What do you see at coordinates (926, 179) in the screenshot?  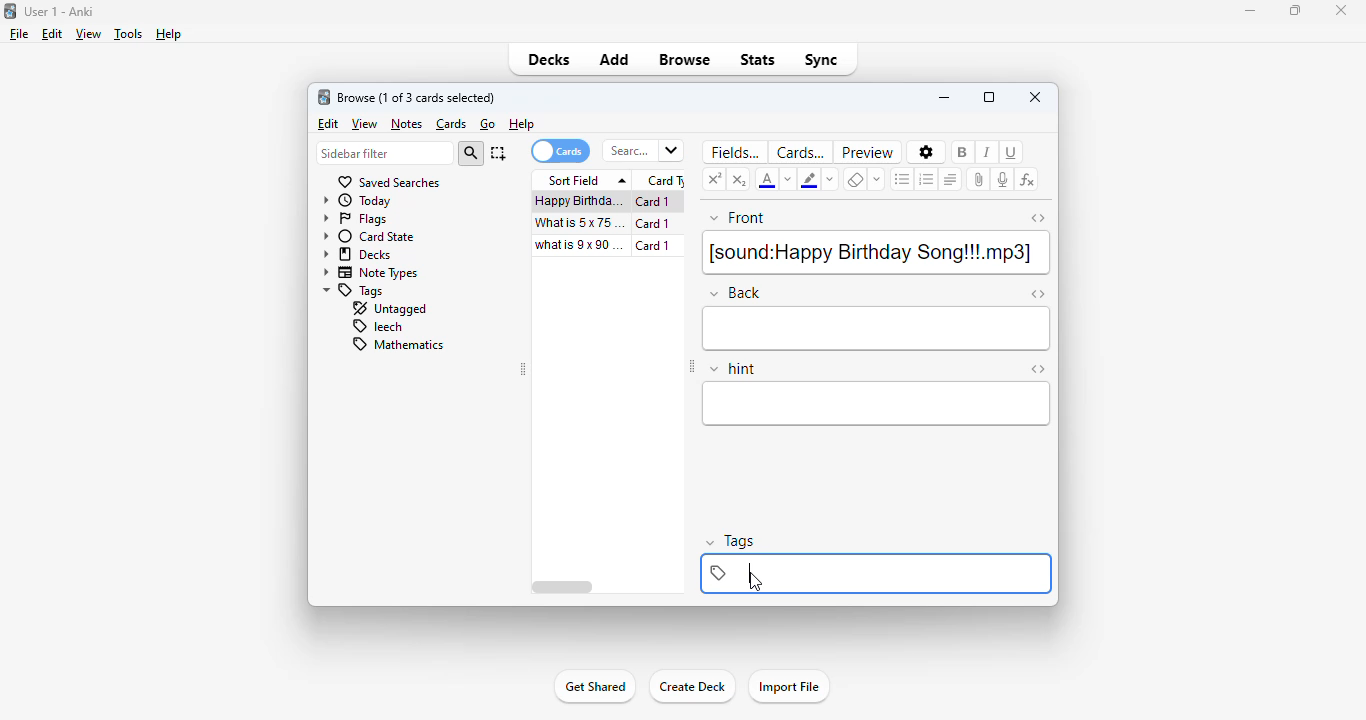 I see `ordered list` at bounding box center [926, 179].